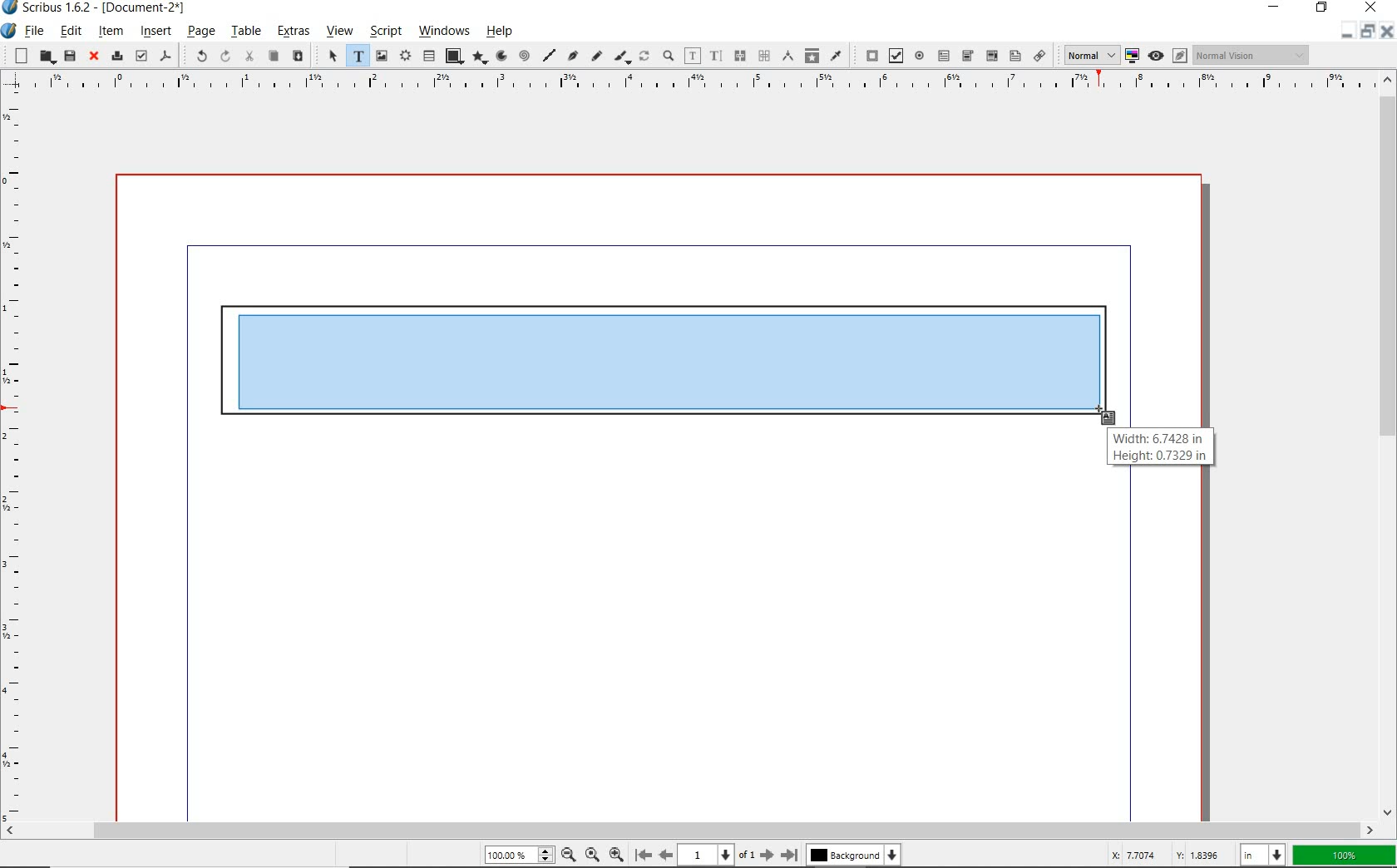  I want to click on text frame, so click(358, 56).